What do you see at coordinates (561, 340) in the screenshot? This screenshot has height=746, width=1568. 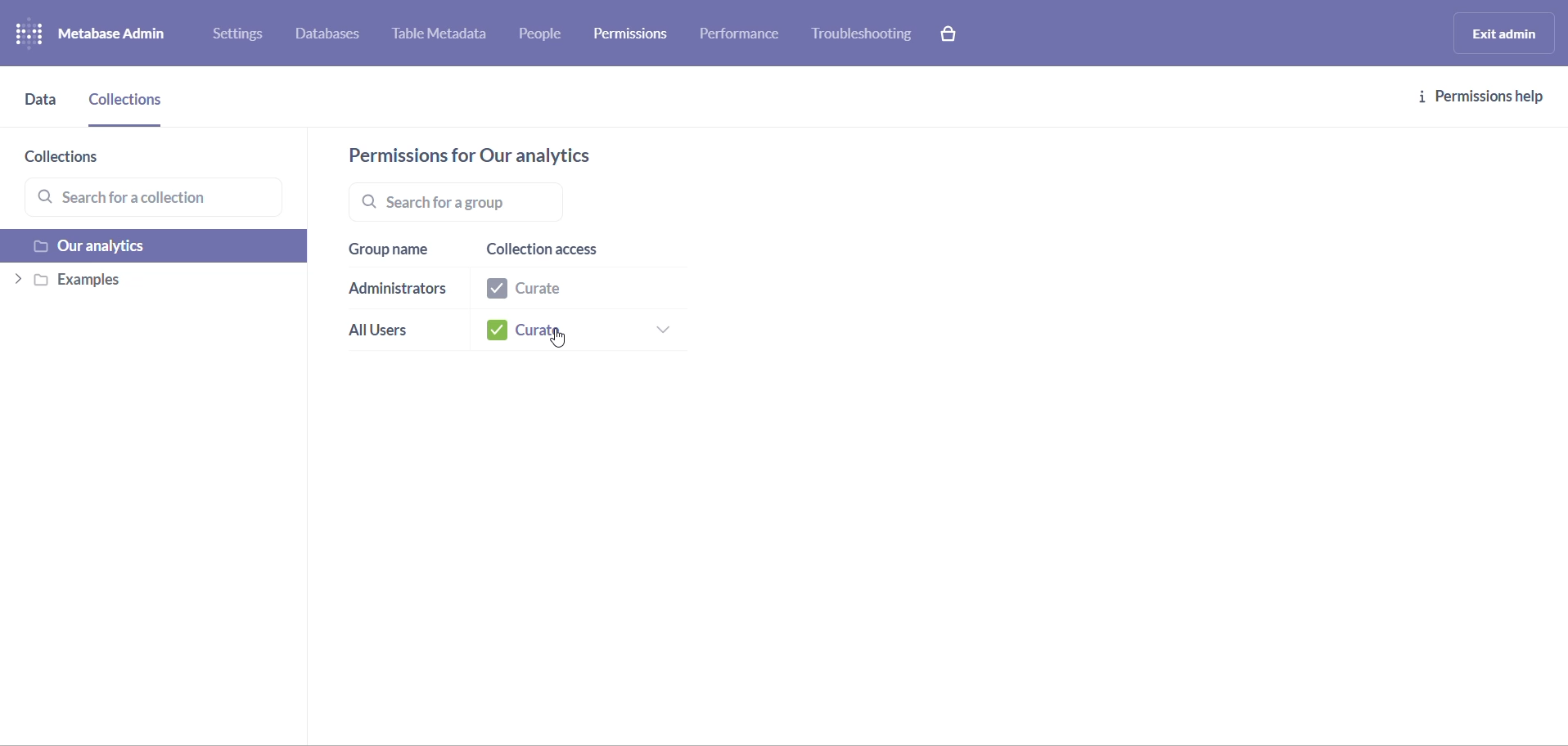 I see `access level` at bounding box center [561, 340].